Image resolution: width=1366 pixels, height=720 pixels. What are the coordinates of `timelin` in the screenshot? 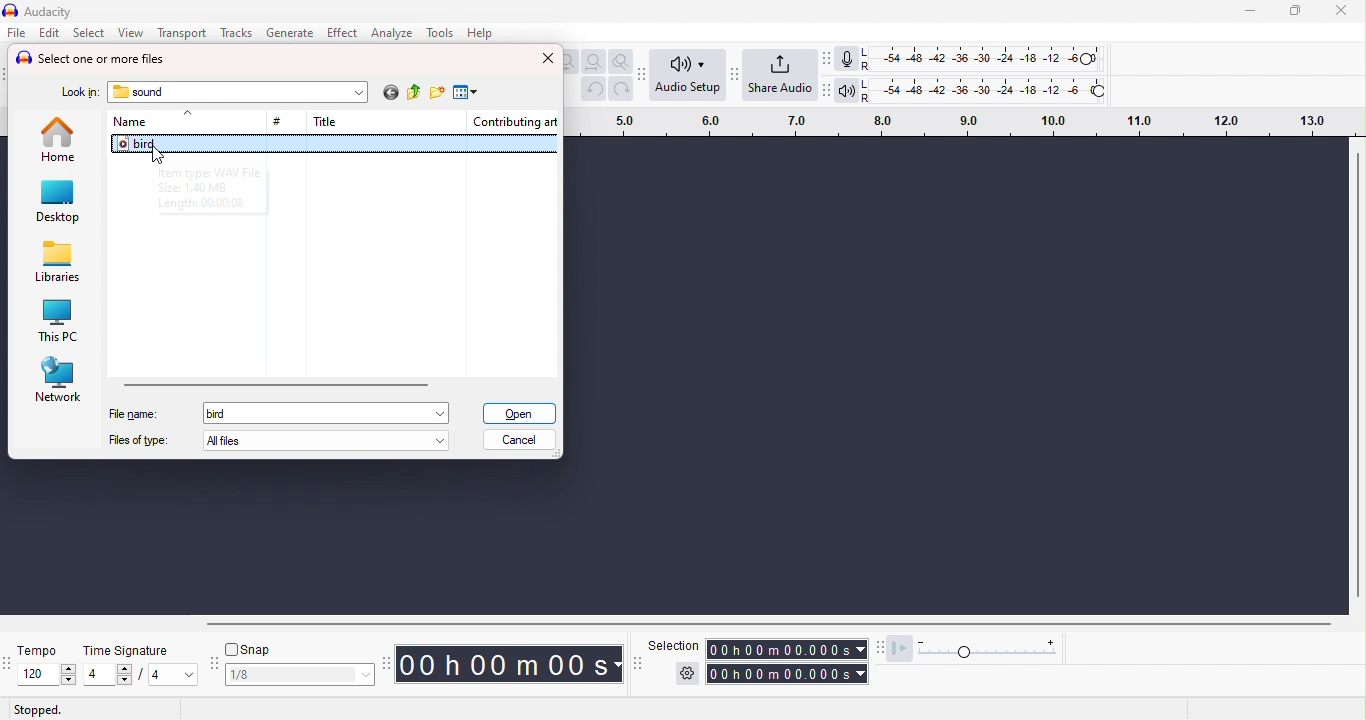 It's located at (966, 121).